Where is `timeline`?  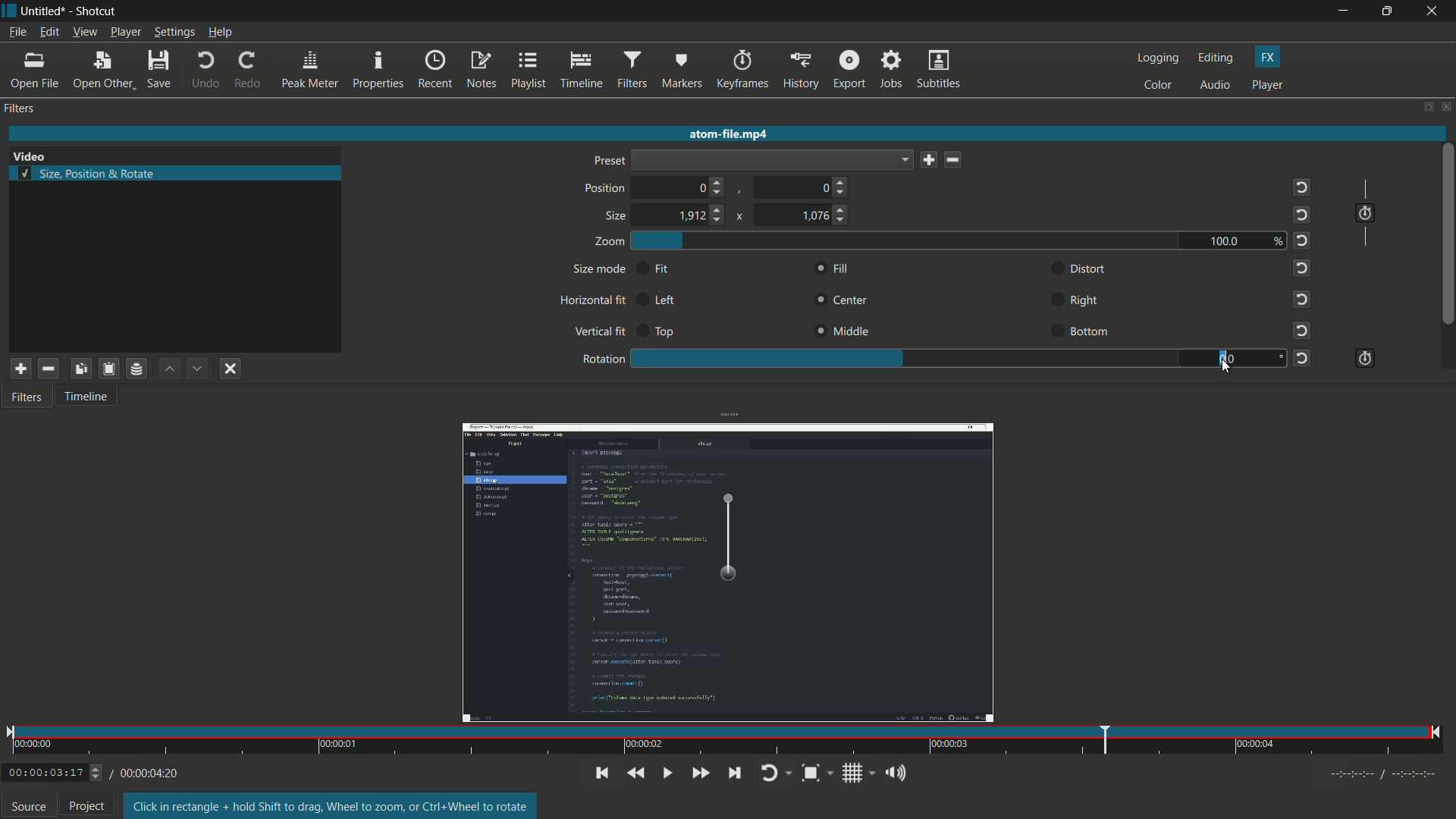 timeline is located at coordinates (579, 71).